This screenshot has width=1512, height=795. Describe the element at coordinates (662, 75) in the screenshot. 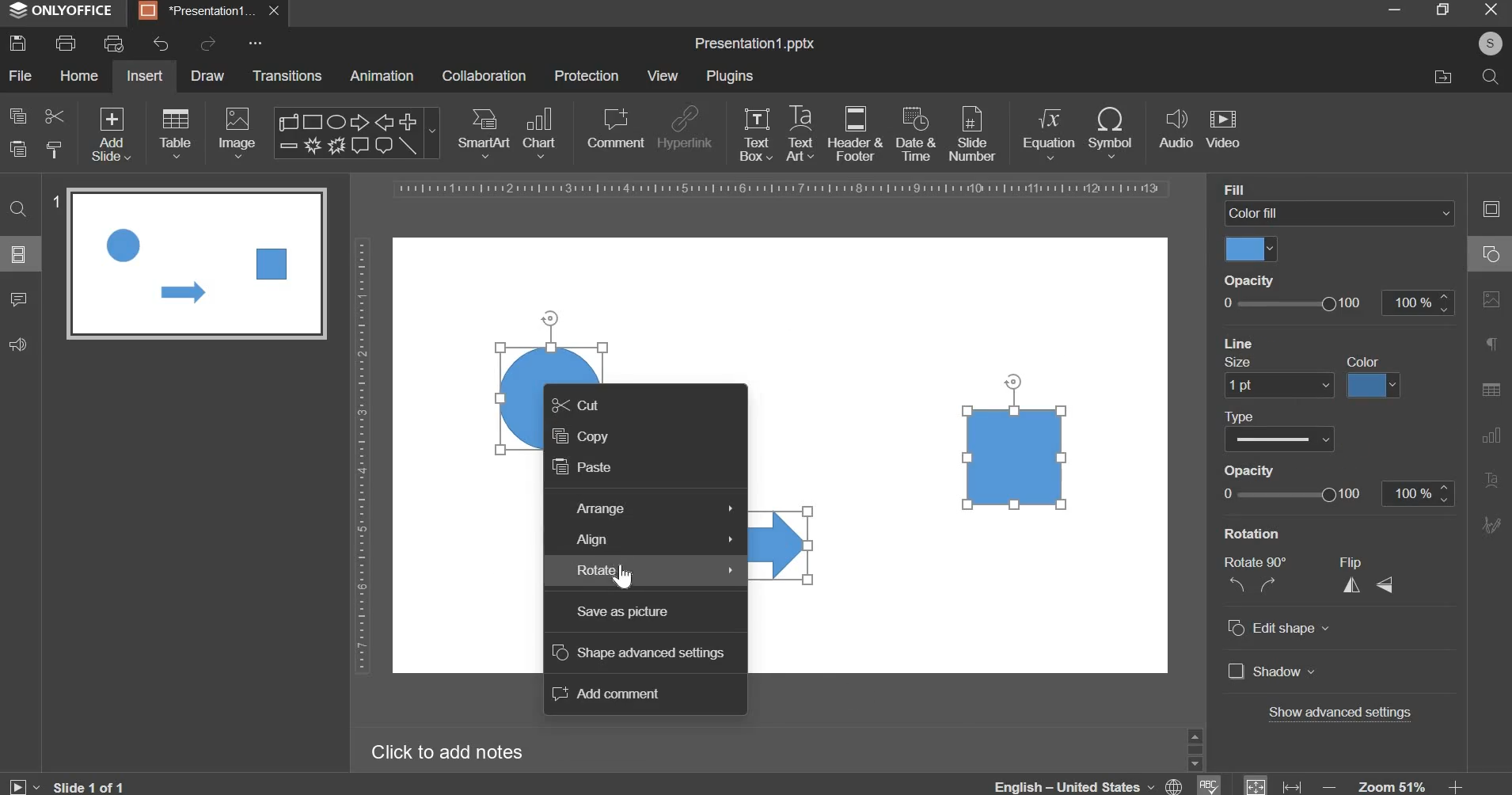

I see `view` at that location.